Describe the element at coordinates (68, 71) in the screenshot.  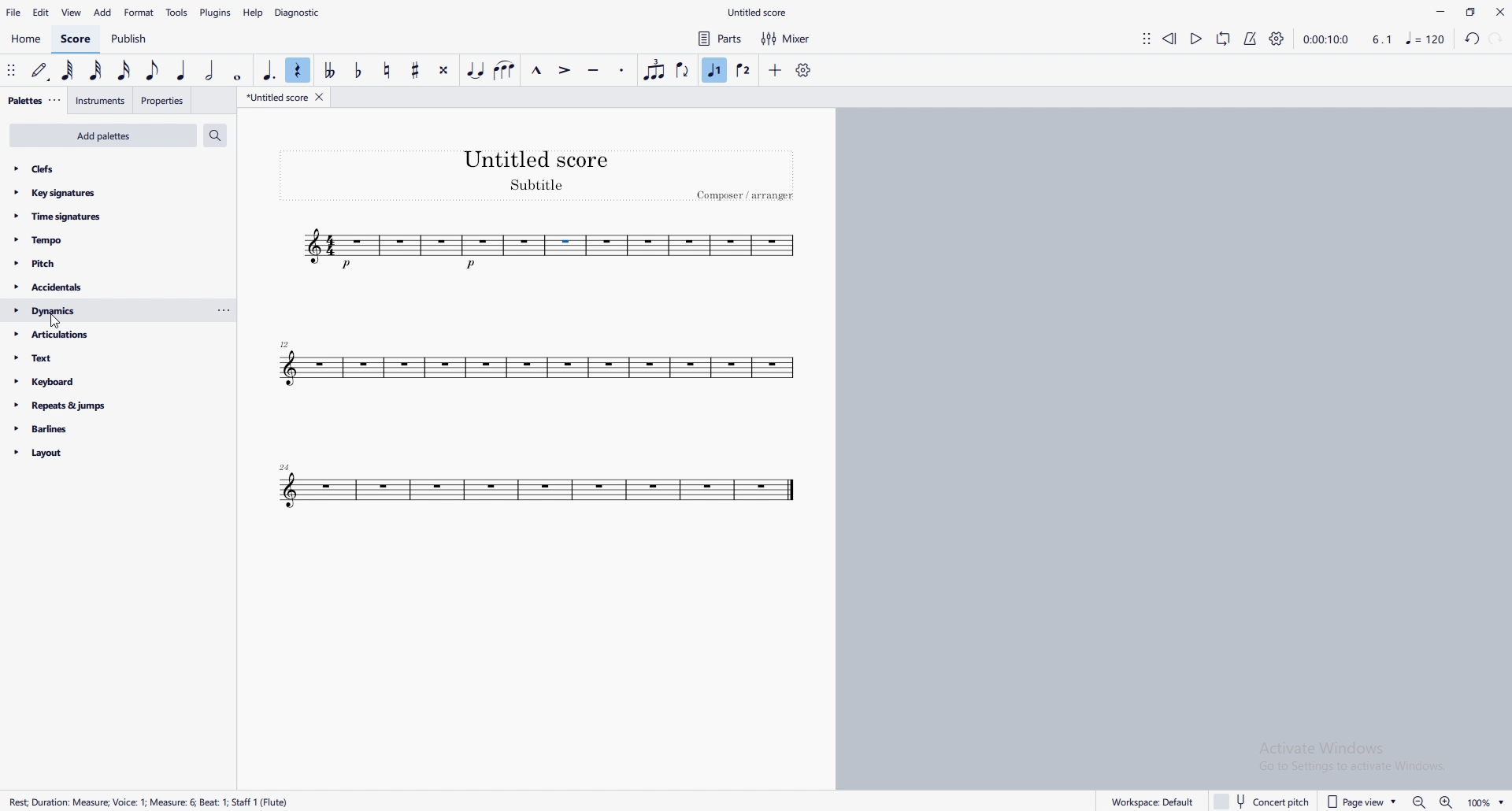
I see `64th note` at that location.